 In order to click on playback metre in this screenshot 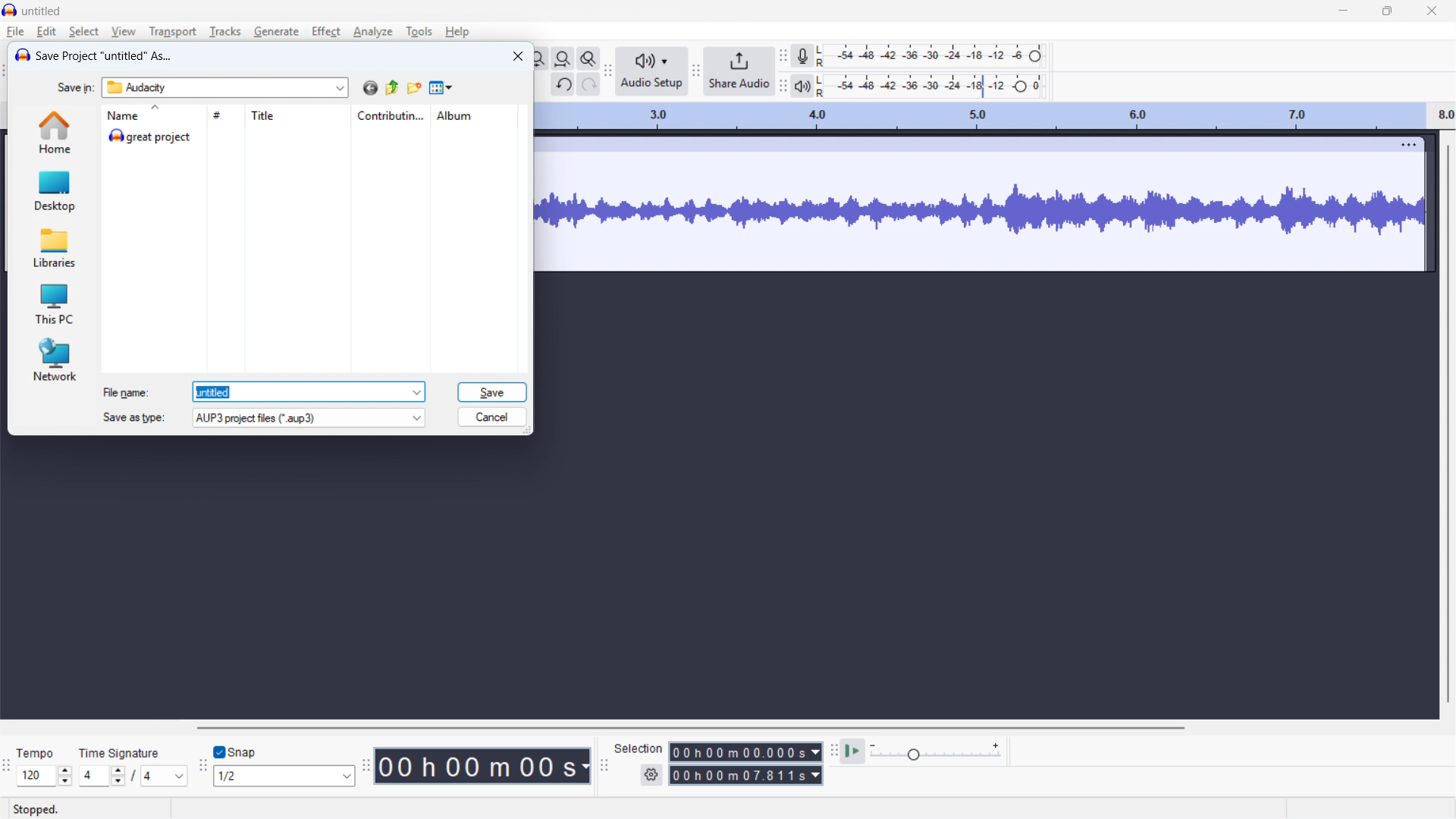, I will do `click(802, 86)`.